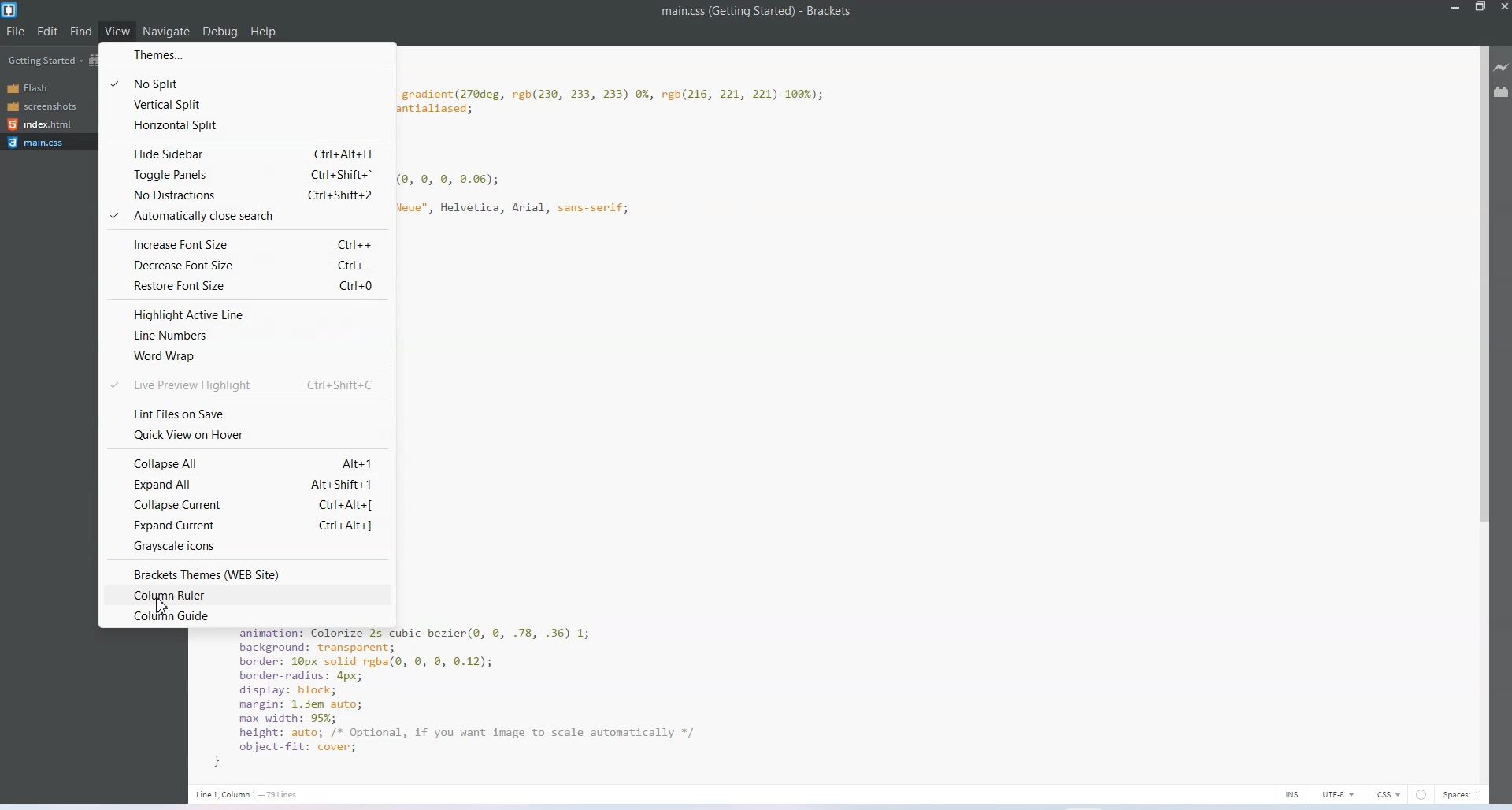  Describe the element at coordinates (1480, 414) in the screenshot. I see `Vertical Scrollbar` at that location.